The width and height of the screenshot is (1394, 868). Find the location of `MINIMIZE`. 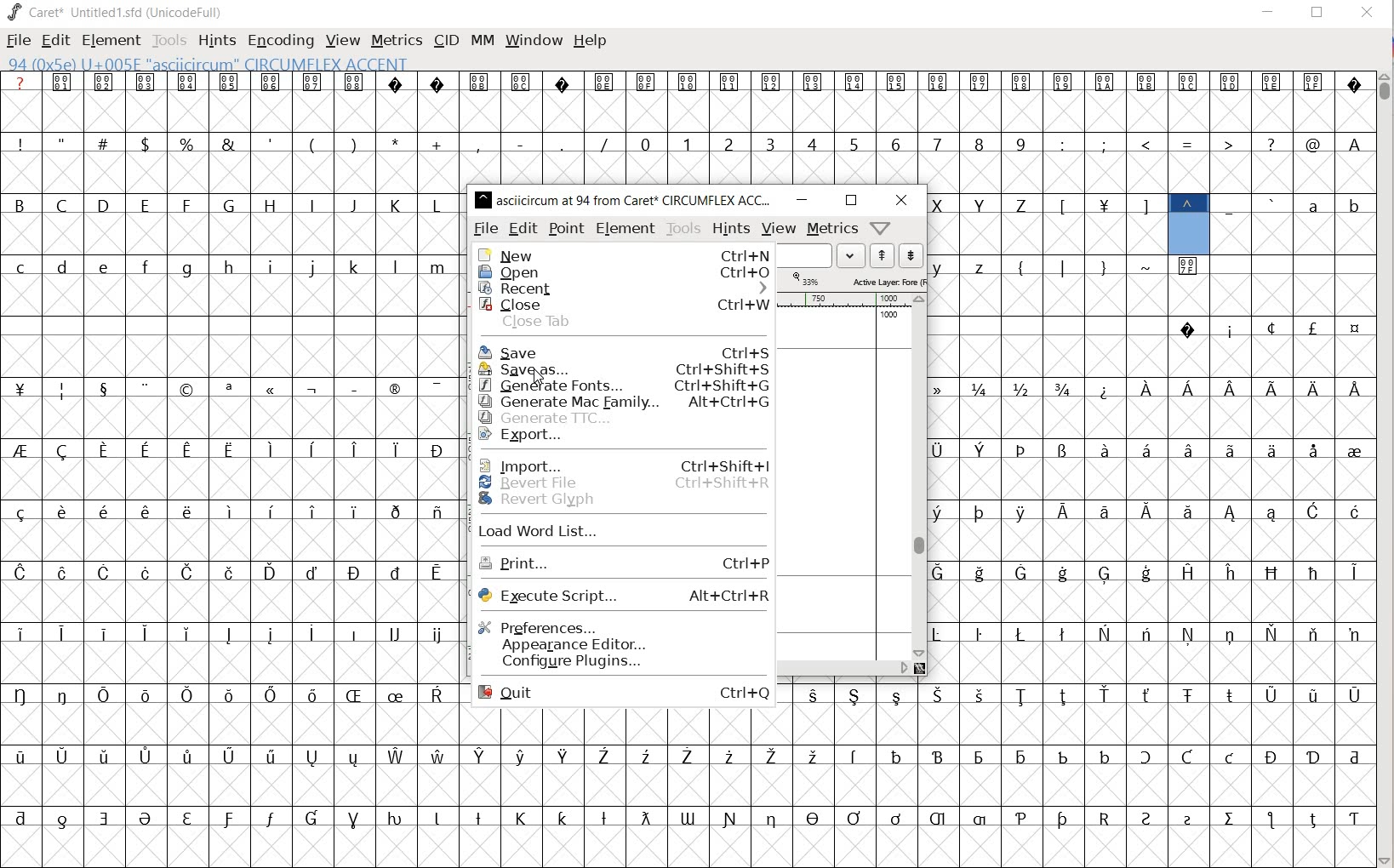

MINIMIZE is located at coordinates (1269, 11).